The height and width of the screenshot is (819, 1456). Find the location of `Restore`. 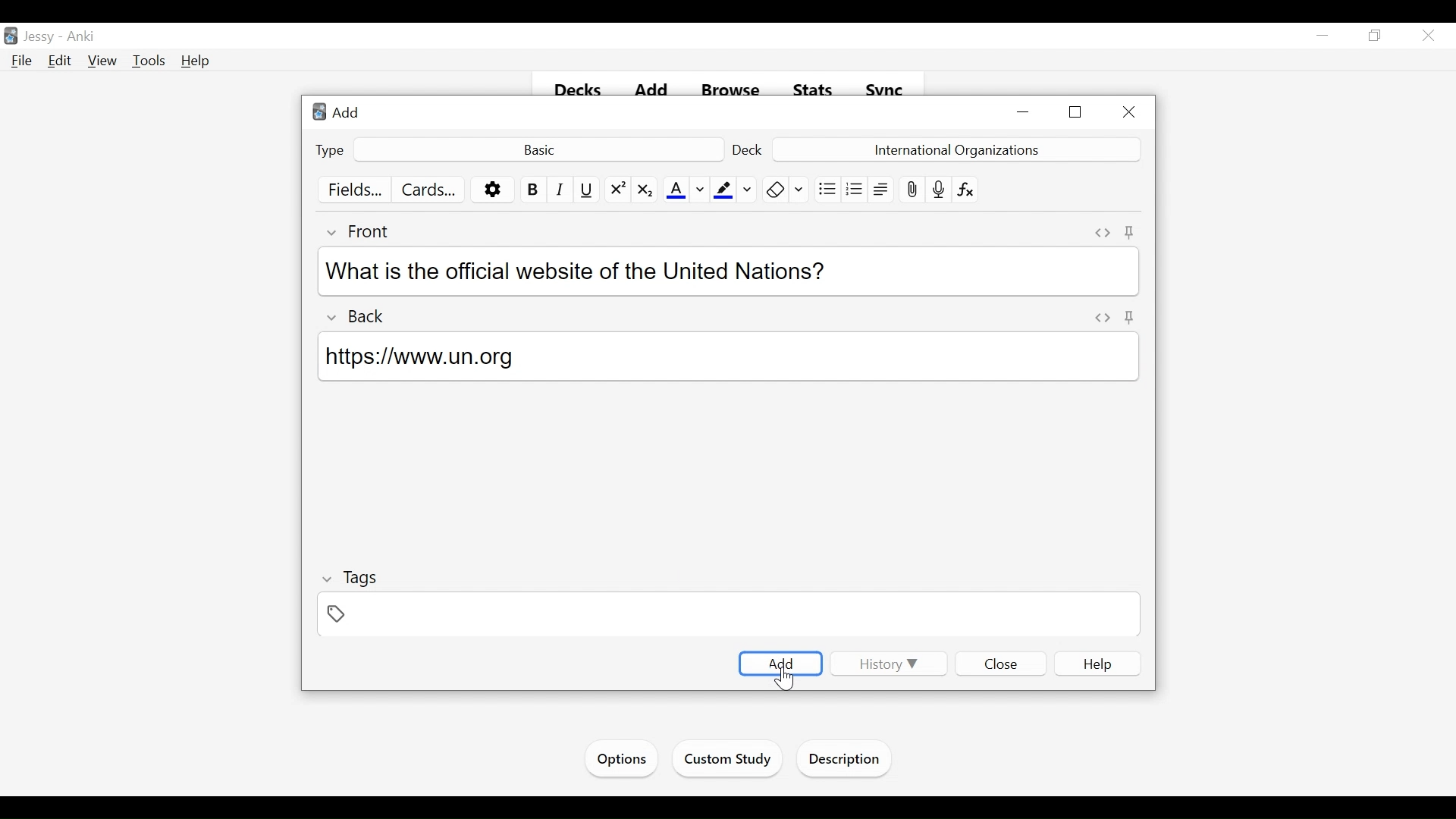

Restore is located at coordinates (1077, 112).